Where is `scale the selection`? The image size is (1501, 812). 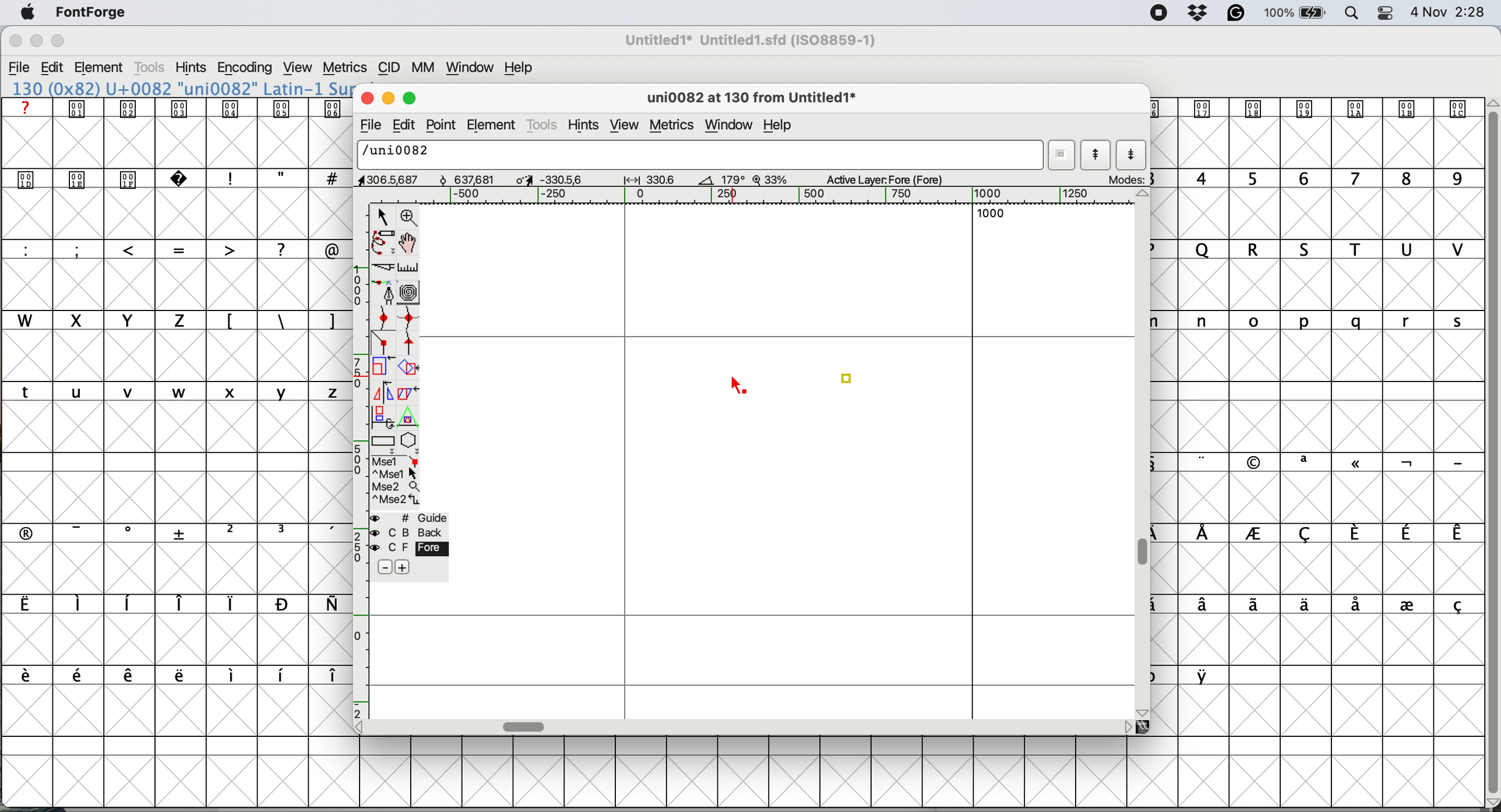
scale the selection is located at coordinates (383, 369).